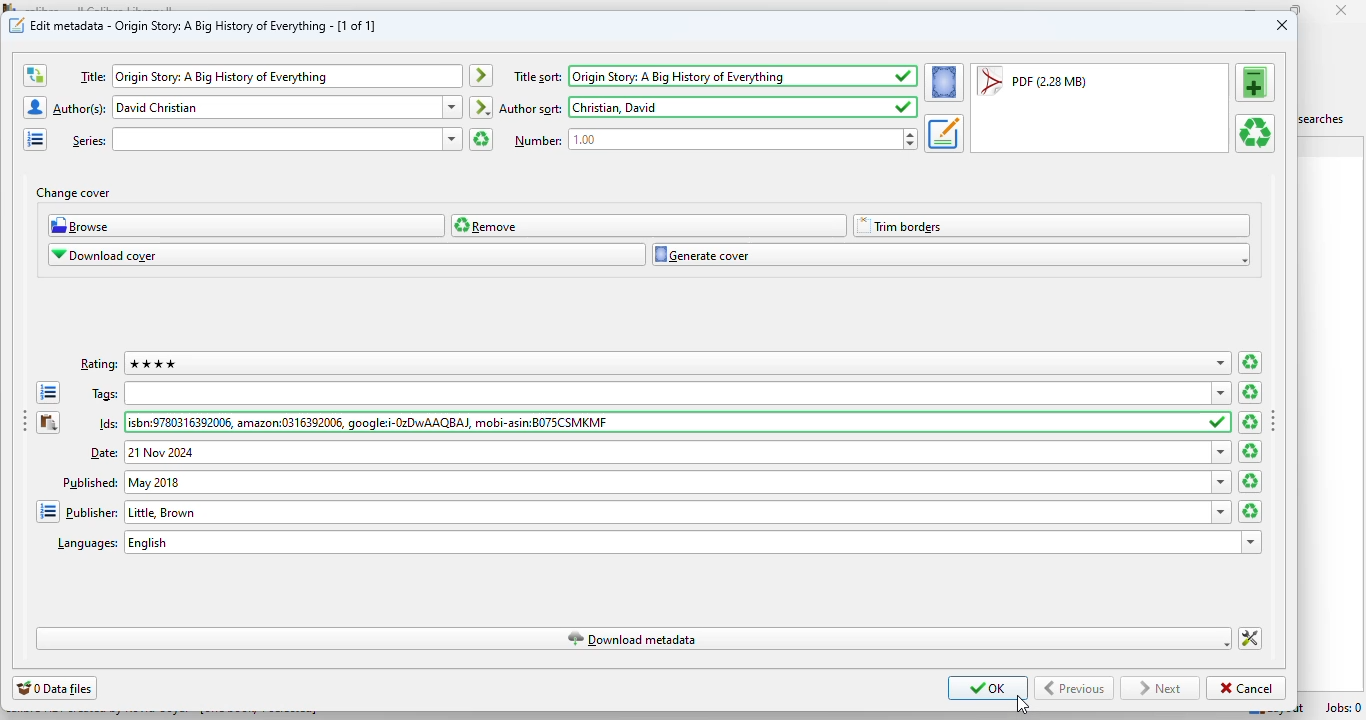  What do you see at coordinates (35, 76) in the screenshot?
I see `swap the author and title` at bounding box center [35, 76].